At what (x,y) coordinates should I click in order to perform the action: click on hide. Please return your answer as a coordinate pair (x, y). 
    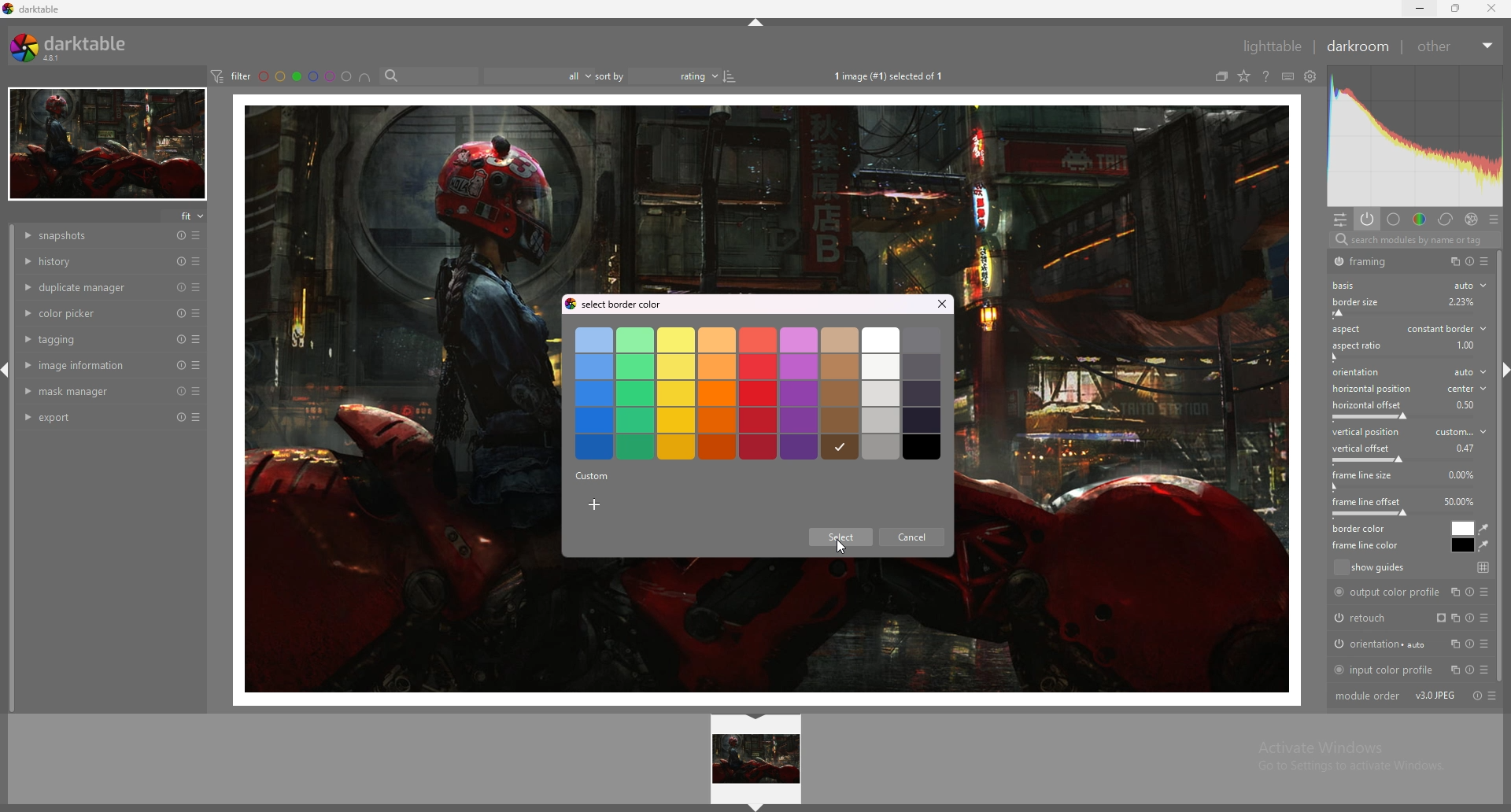
    Looking at the image, I should click on (758, 718).